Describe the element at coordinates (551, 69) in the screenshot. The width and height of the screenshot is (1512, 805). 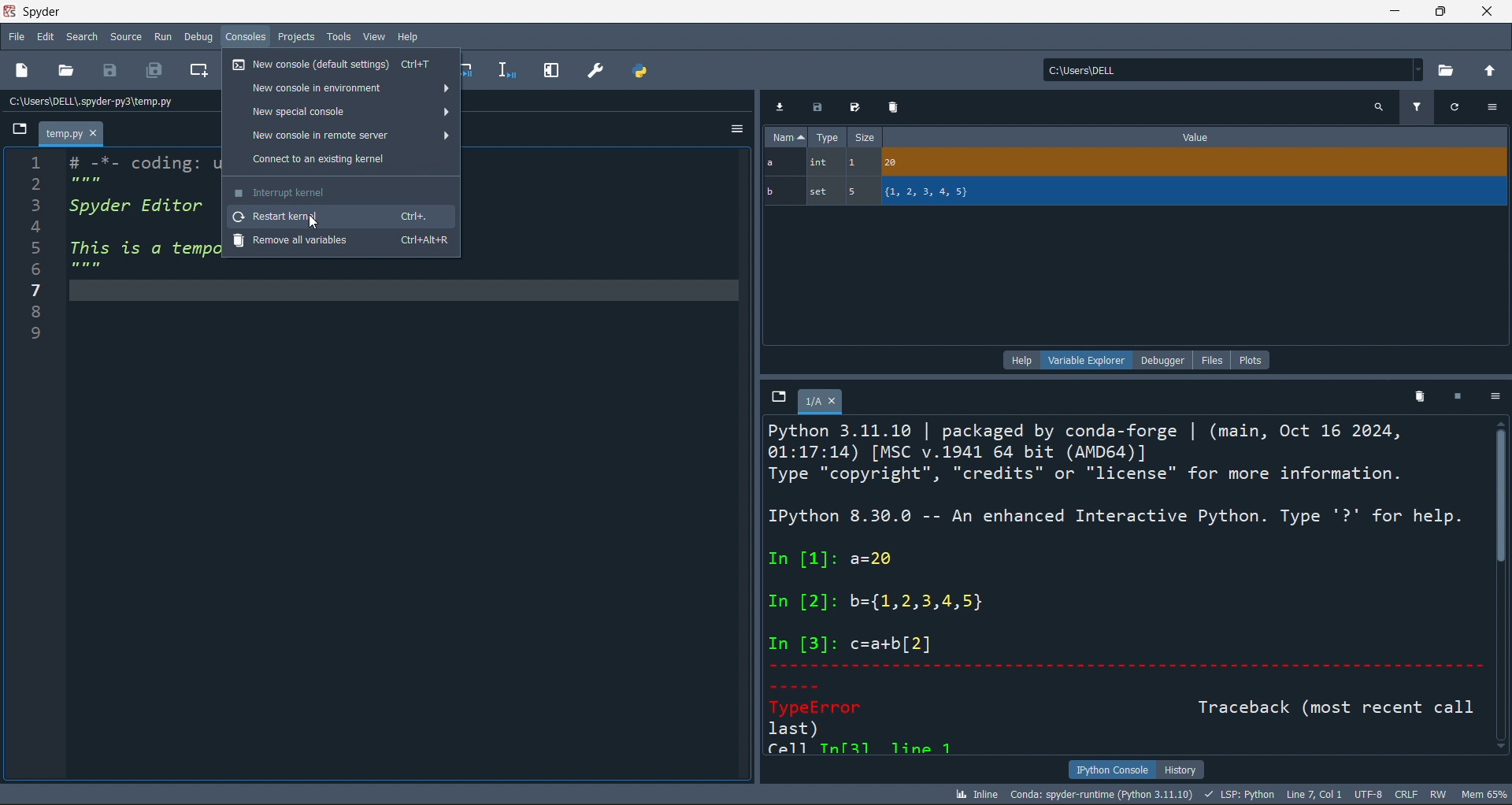
I see `expand pane` at that location.